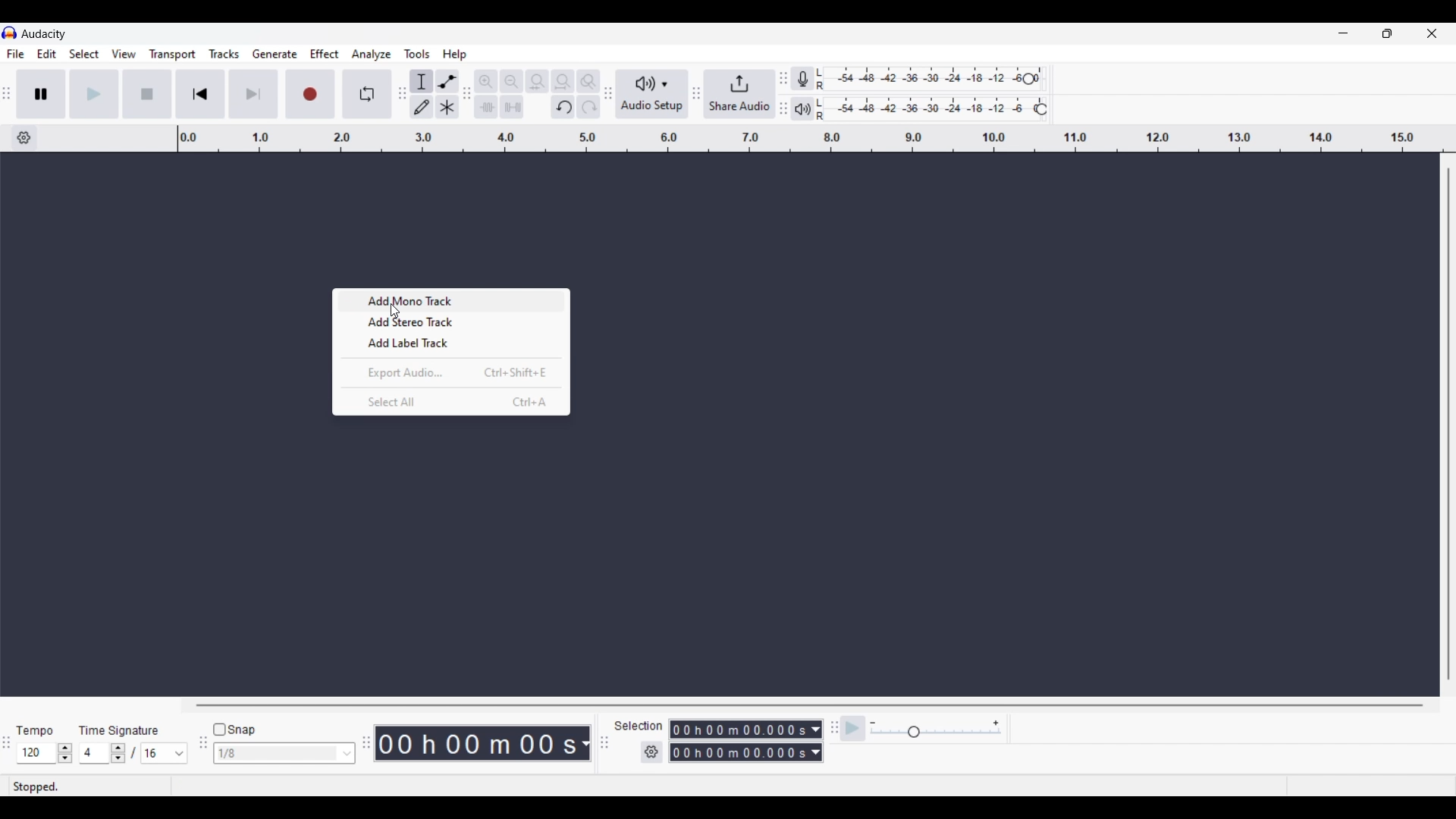  What do you see at coordinates (1041, 110) in the screenshot?
I see `Change playback level` at bounding box center [1041, 110].